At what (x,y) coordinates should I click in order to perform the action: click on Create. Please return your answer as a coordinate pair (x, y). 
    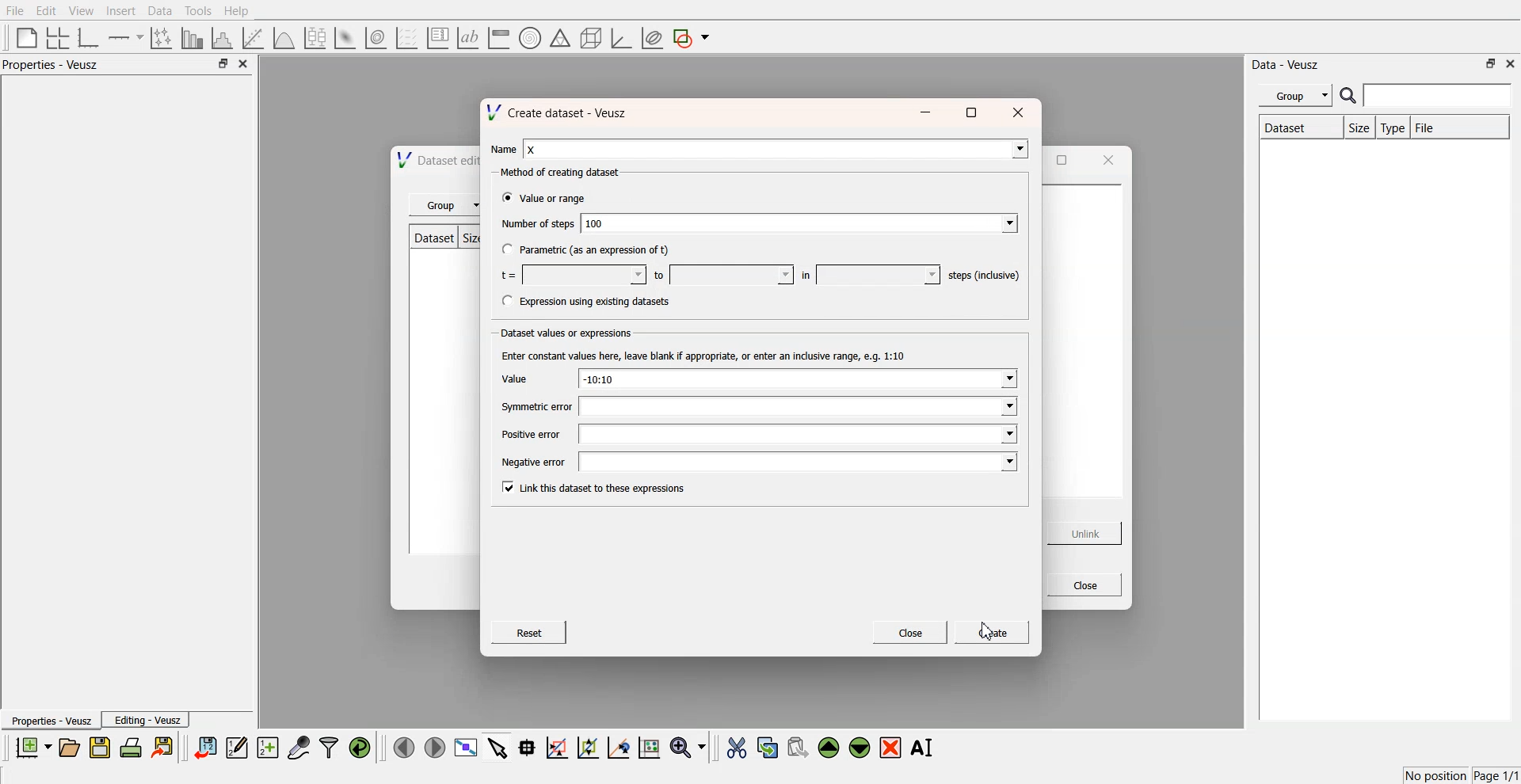
    Looking at the image, I should click on (990, 634).